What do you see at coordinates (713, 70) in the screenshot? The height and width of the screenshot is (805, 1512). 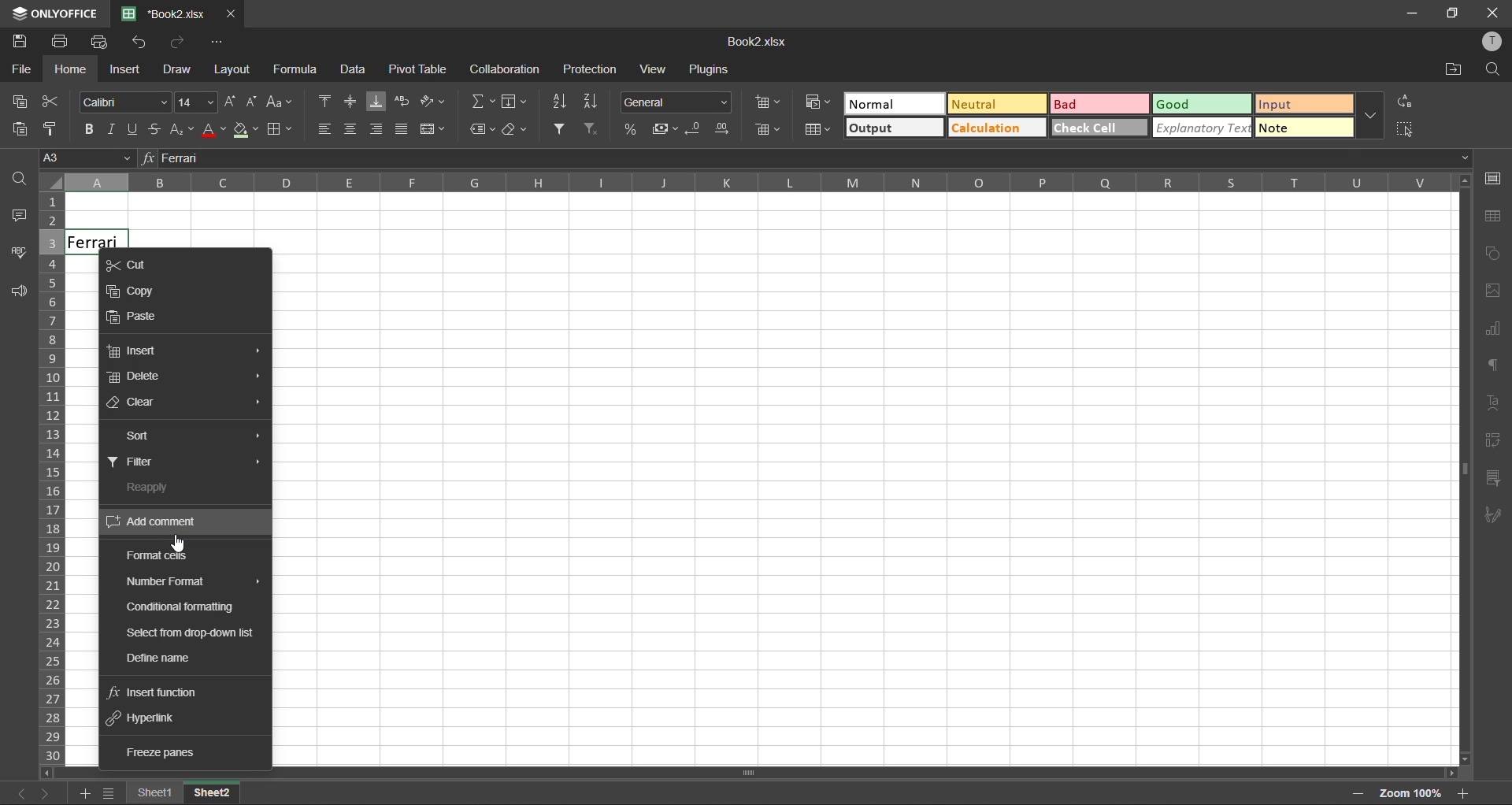 I see `plugins` at bounding box center [713, 70].